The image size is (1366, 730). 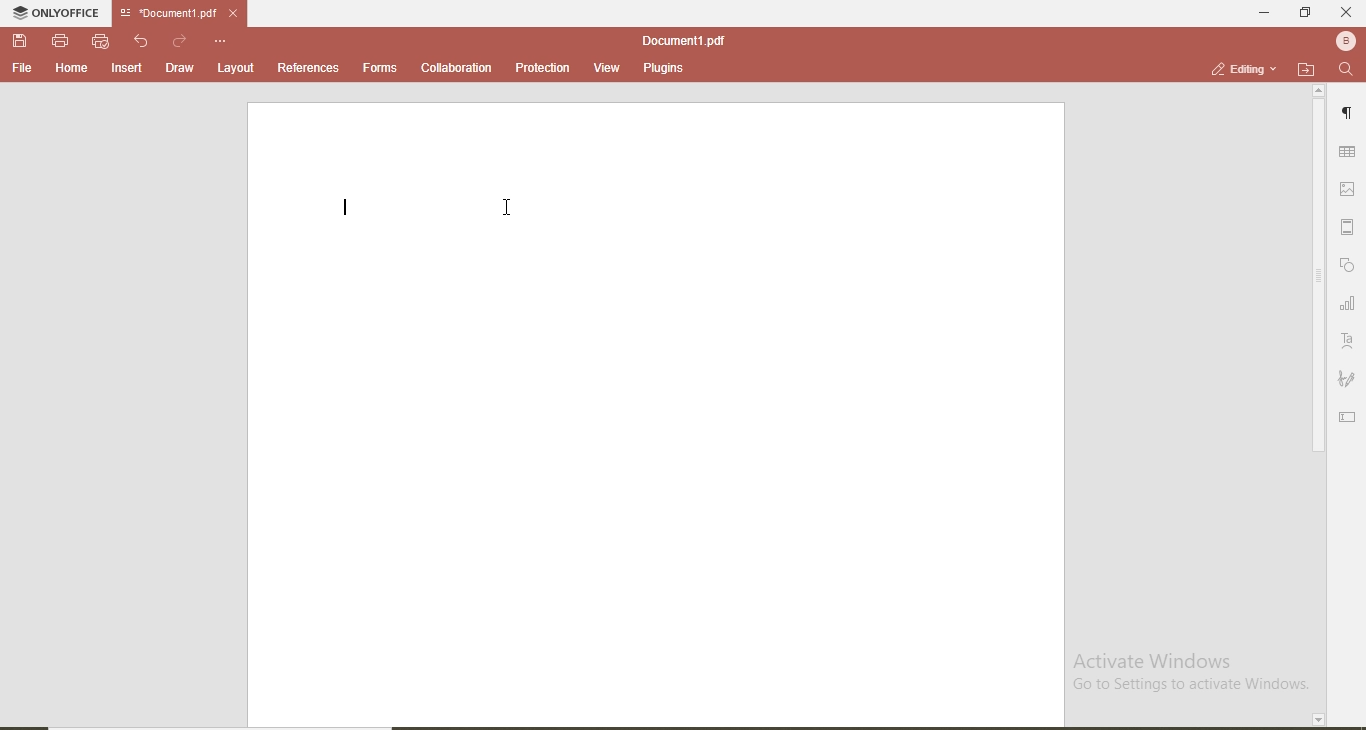 I want to click on page up, so click(x=1318, y=90).